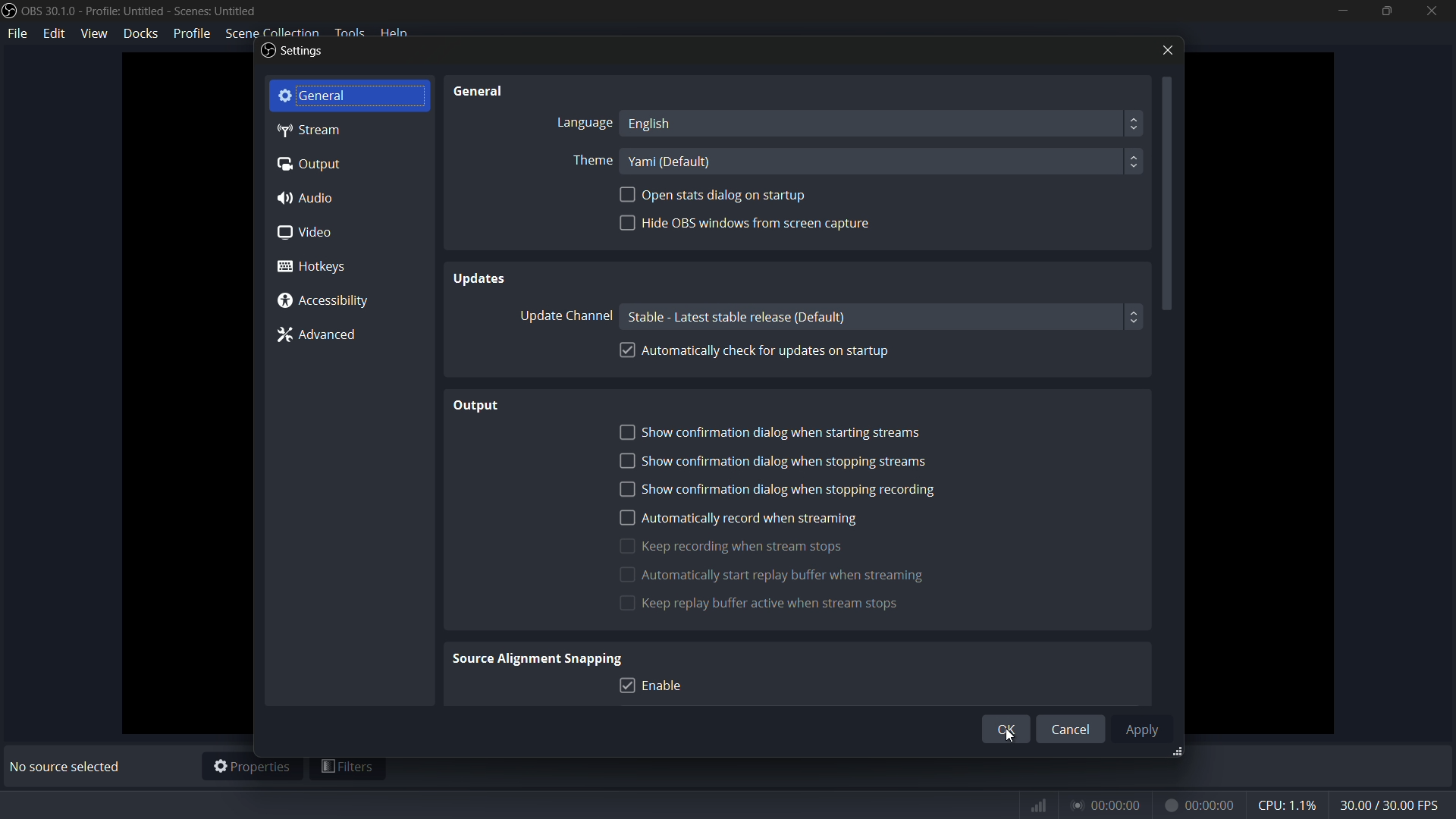  What do you see at coordinates (1168, 249) in the screenshot?
I see `Scrollbar` at bounding box center [1168, 249].